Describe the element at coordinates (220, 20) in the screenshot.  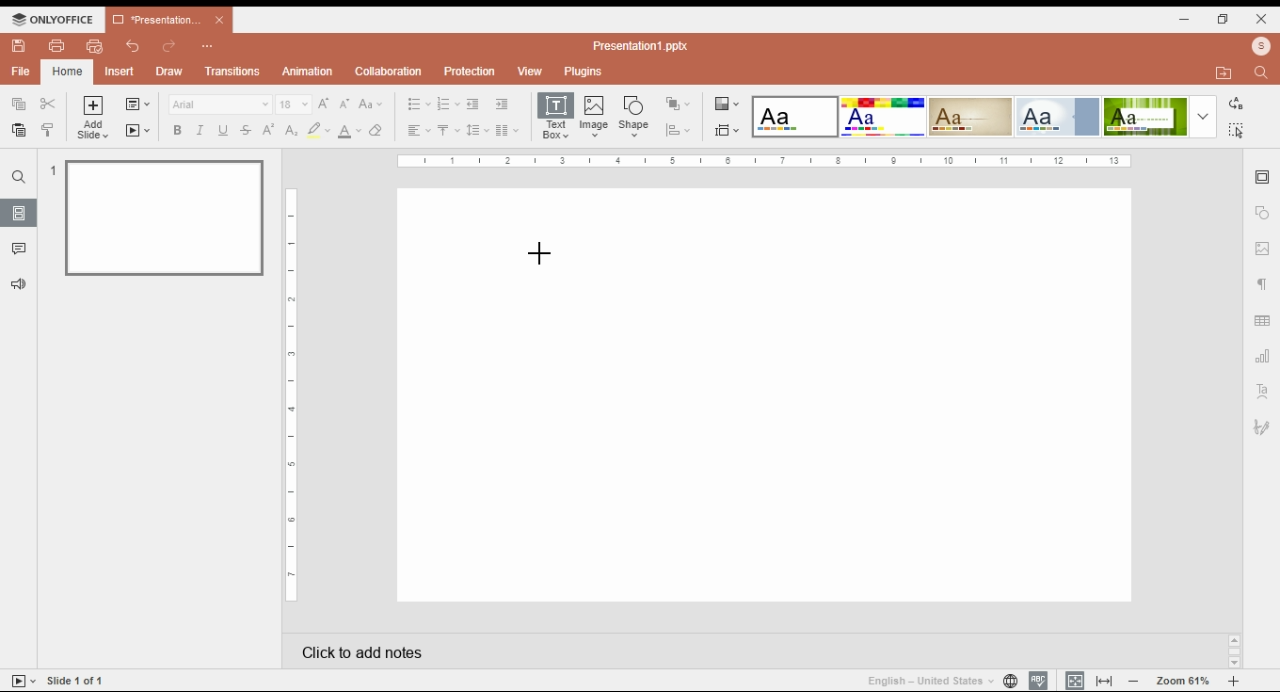
I see `close` at that location.